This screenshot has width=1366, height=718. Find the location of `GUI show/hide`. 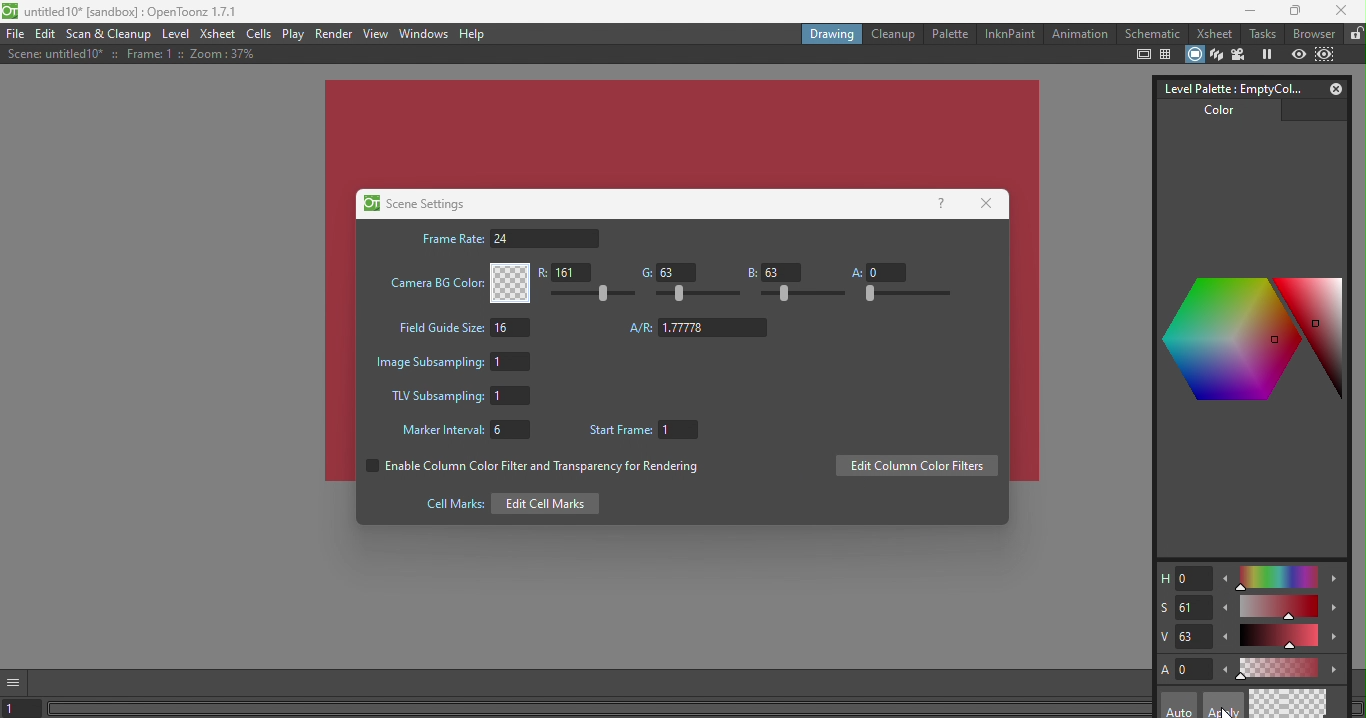

GUI show/hide is located at coordinates (17, 681).